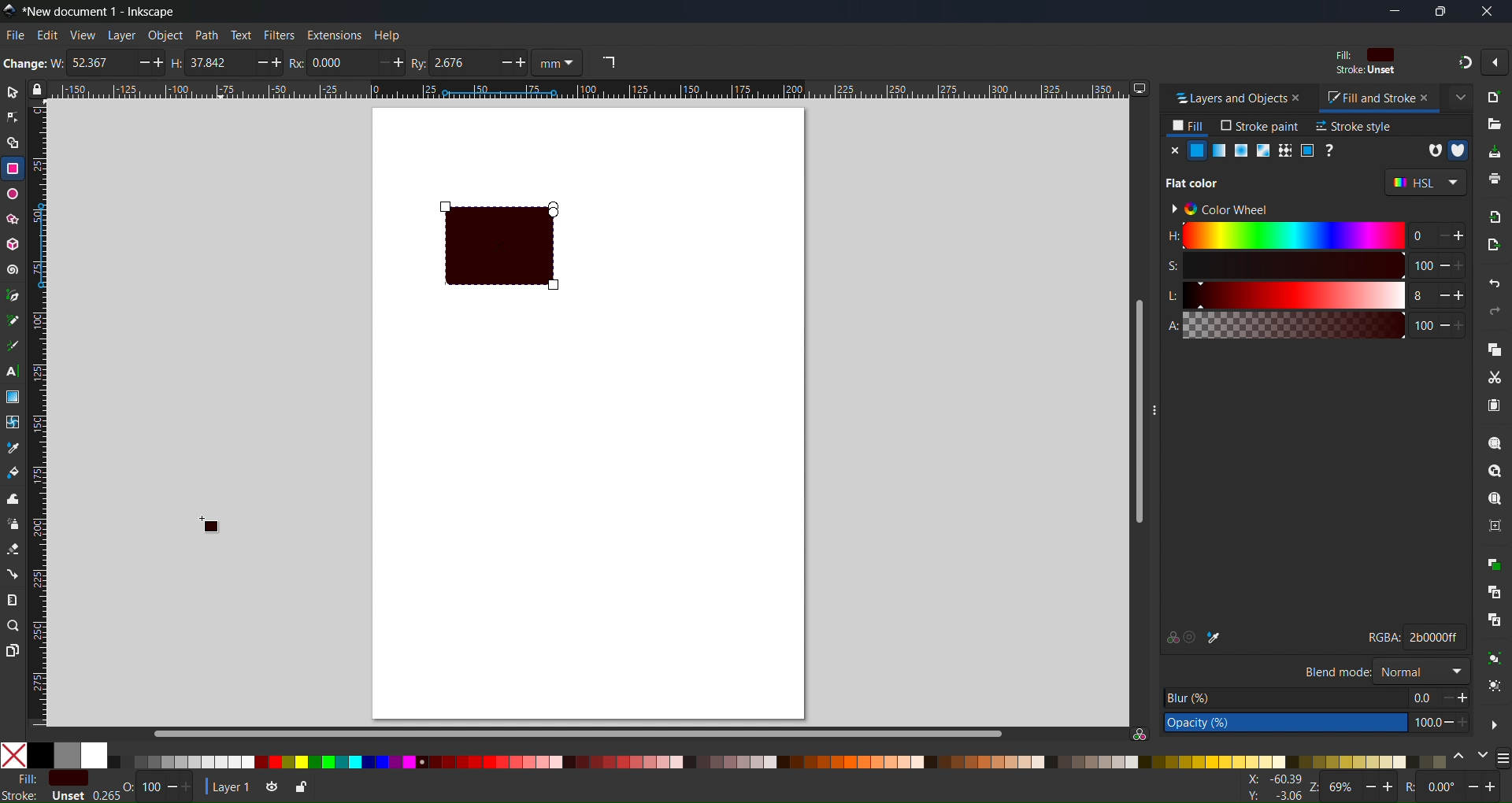 Image resolution: width=1512 pixels, height=803 pixels. What do you see at coordinates (1140, 734) in the screenshot?
I see `Color managed mode` at bounding box center [1140, 734].